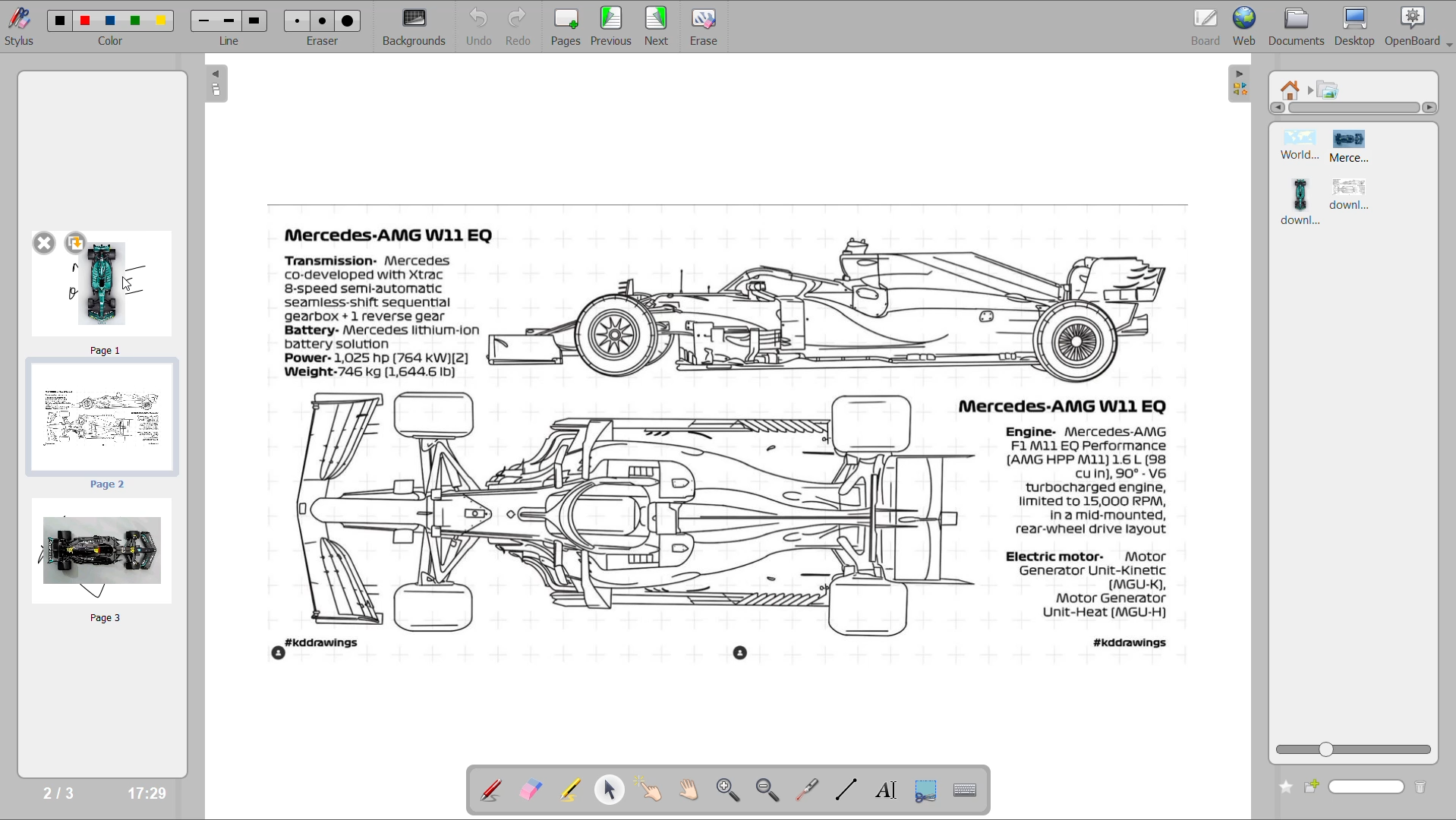  What do you see at coordinates (659, 27) in the screenshot?
I see `next` at bounding box center [659, 27].